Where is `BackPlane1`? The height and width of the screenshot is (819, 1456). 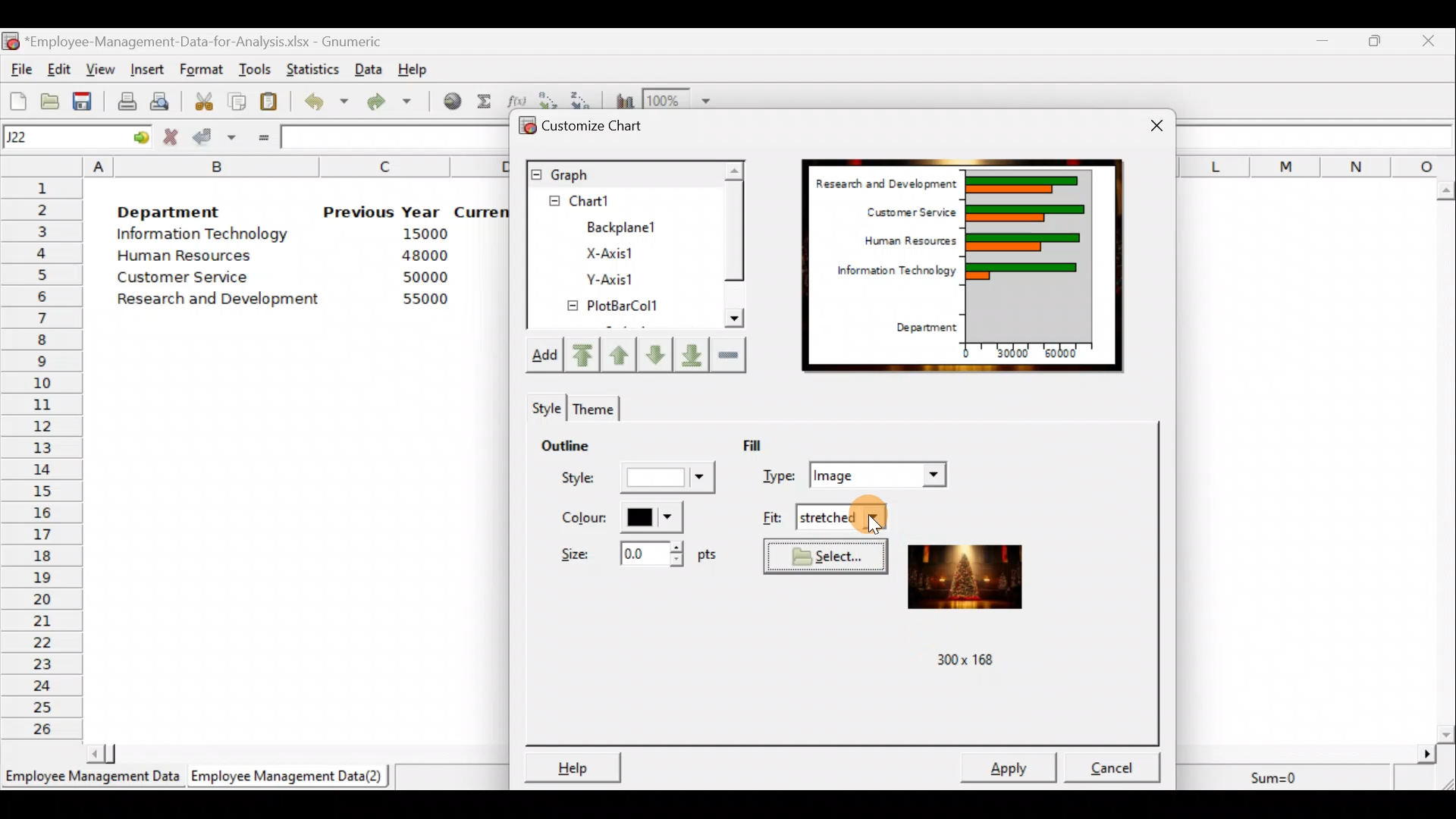 BackPlane1 is located at coordinates (631, 225).